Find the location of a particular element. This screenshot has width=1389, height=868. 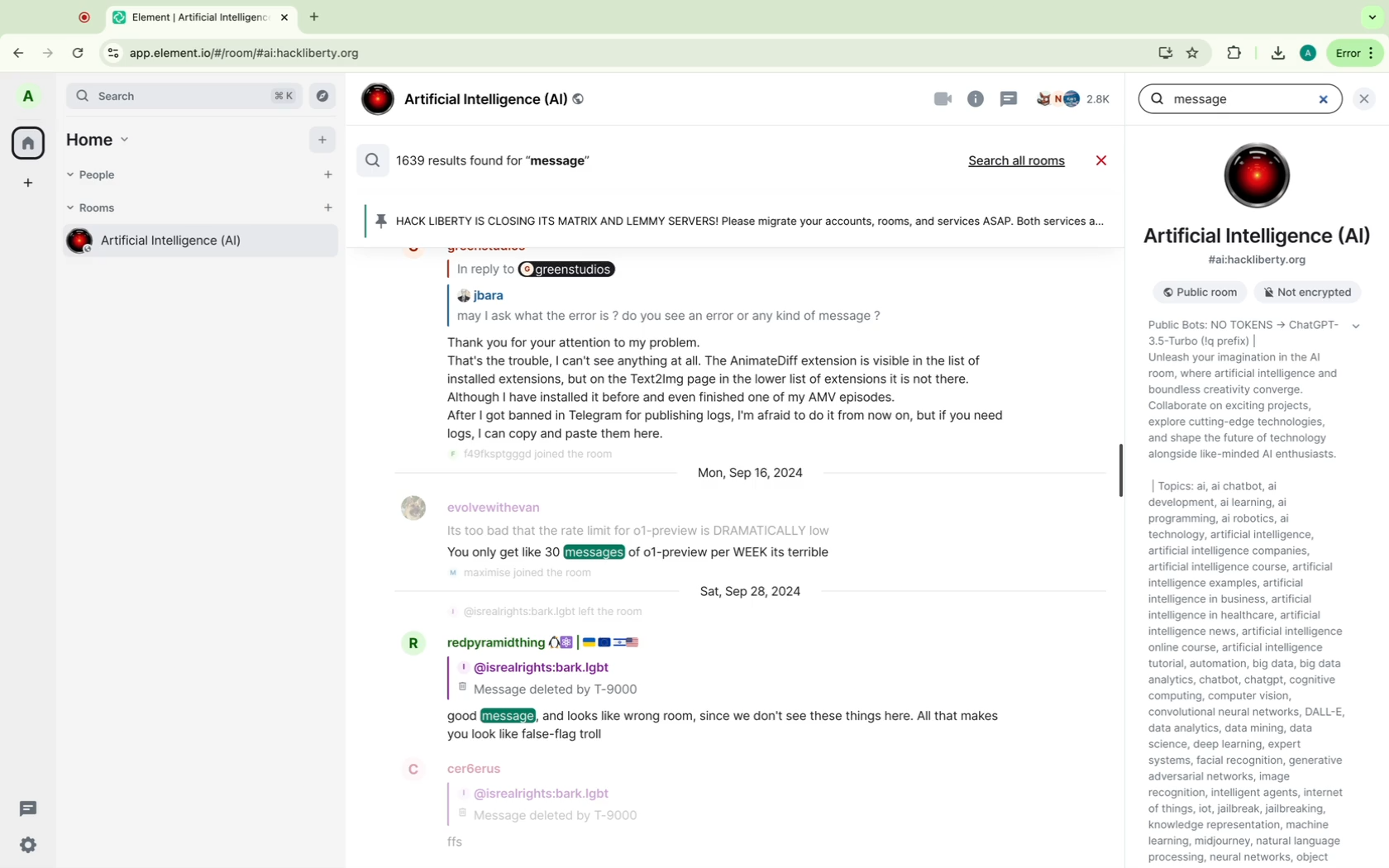

results is located at coordinates (481, 160).